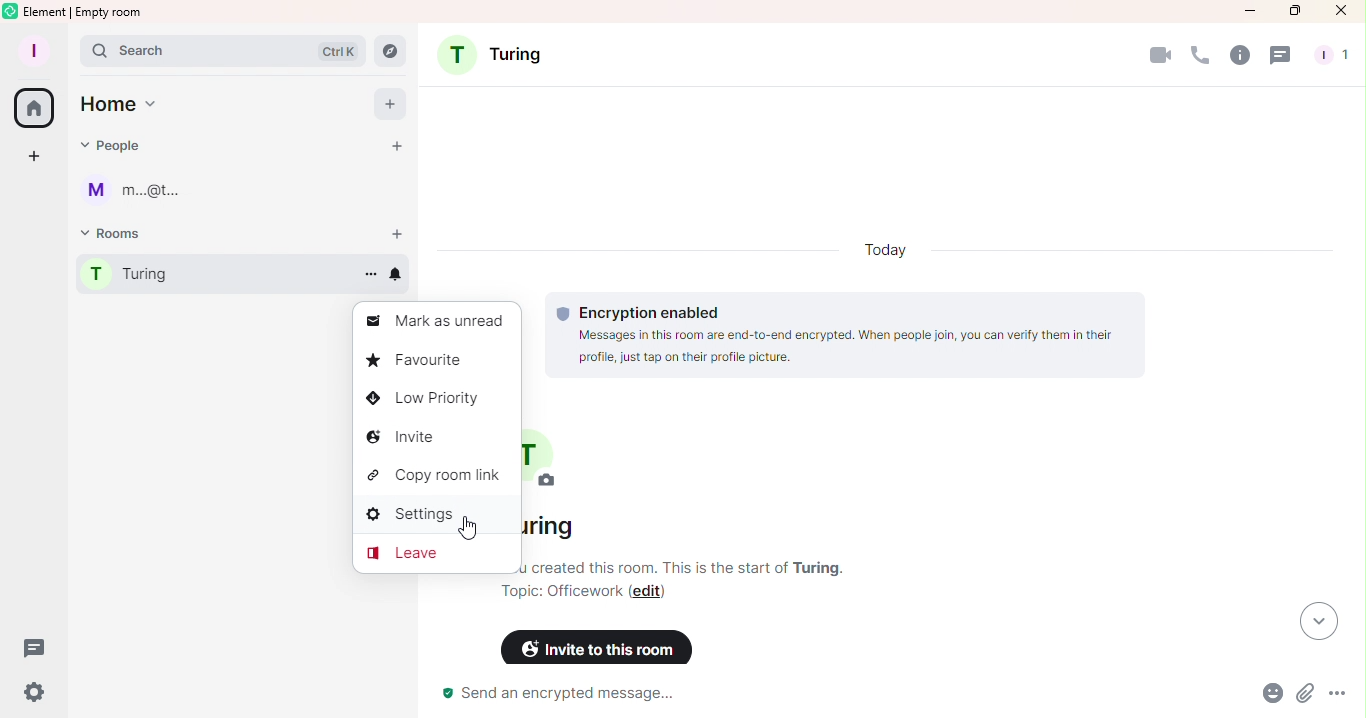 This screenshot has width=1366, height=718. I want to click on Room options , so click(370, 271).